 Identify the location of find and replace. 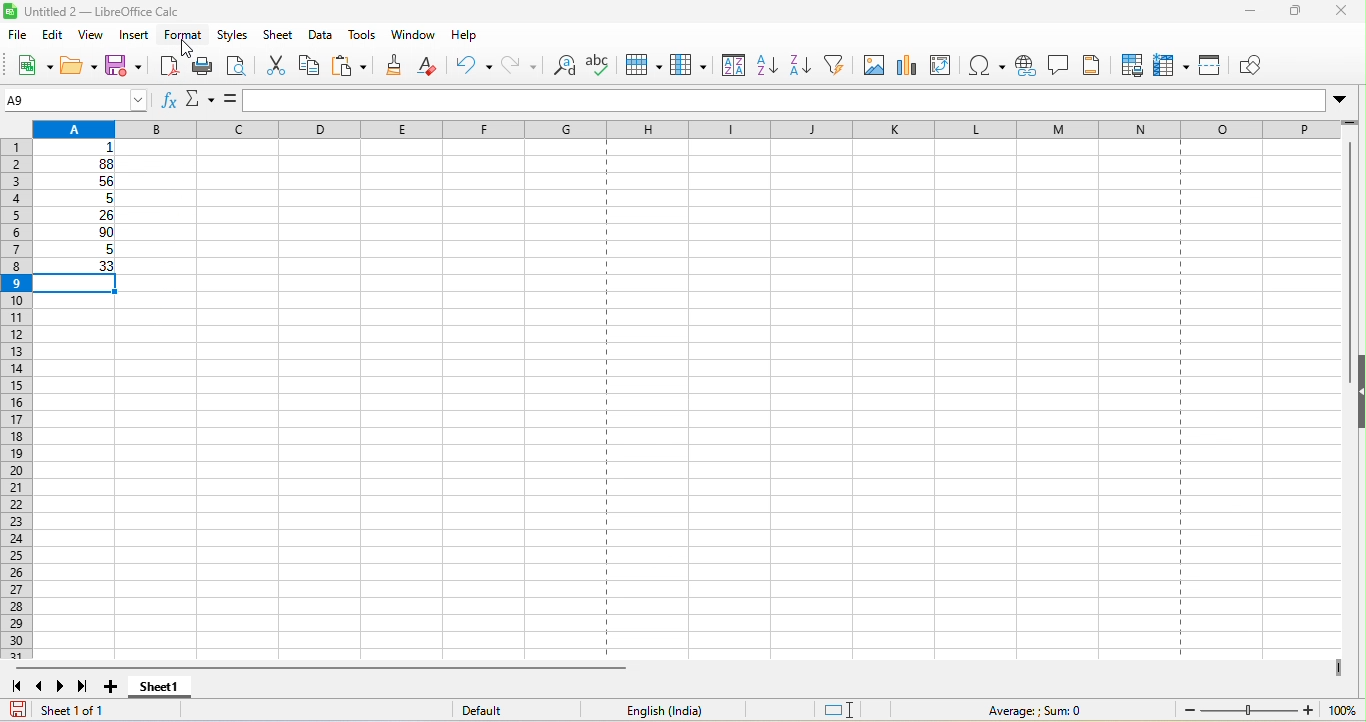
(566, 68).